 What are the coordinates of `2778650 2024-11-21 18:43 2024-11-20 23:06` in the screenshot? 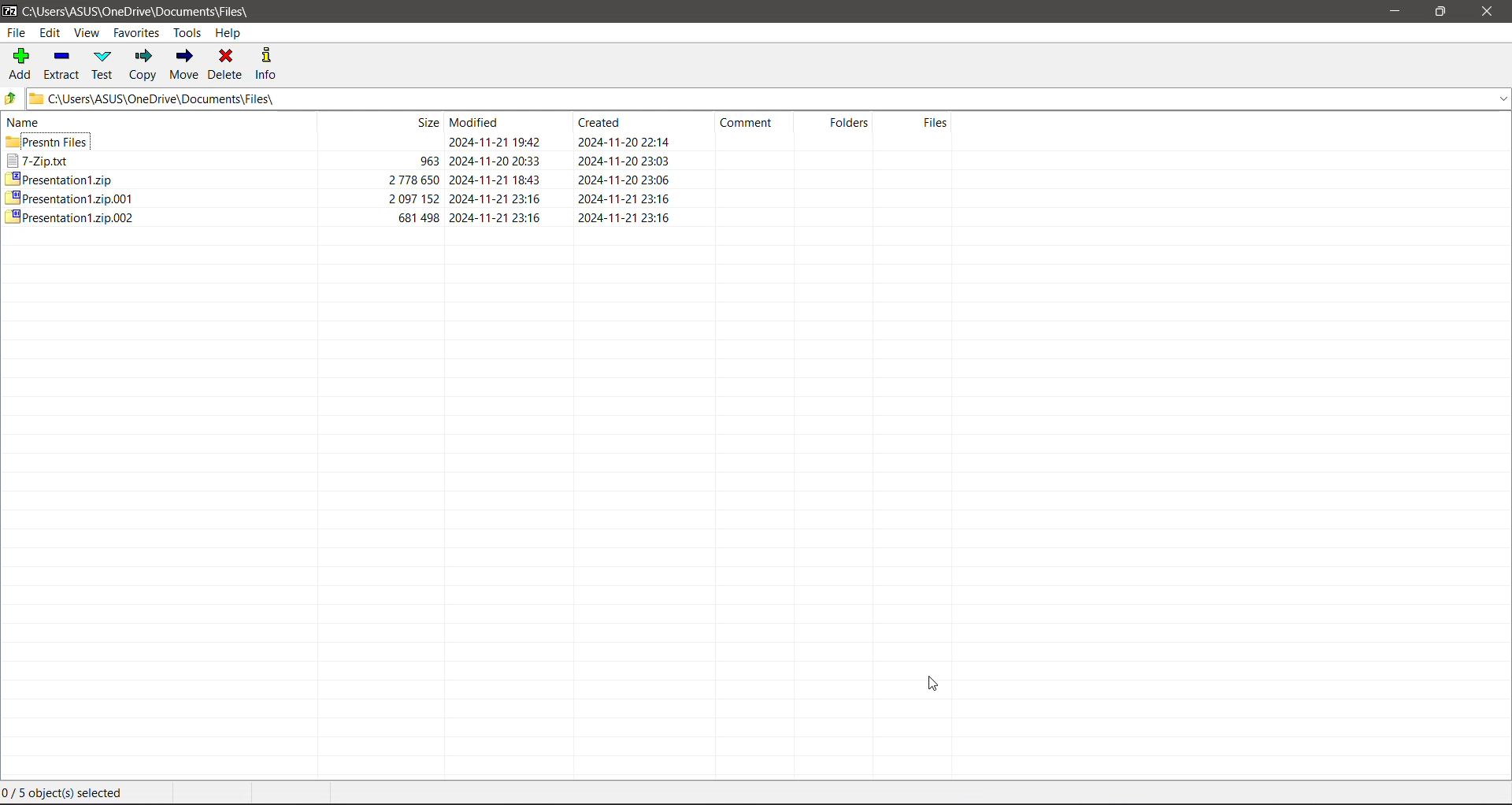 It's located at (545, 180).